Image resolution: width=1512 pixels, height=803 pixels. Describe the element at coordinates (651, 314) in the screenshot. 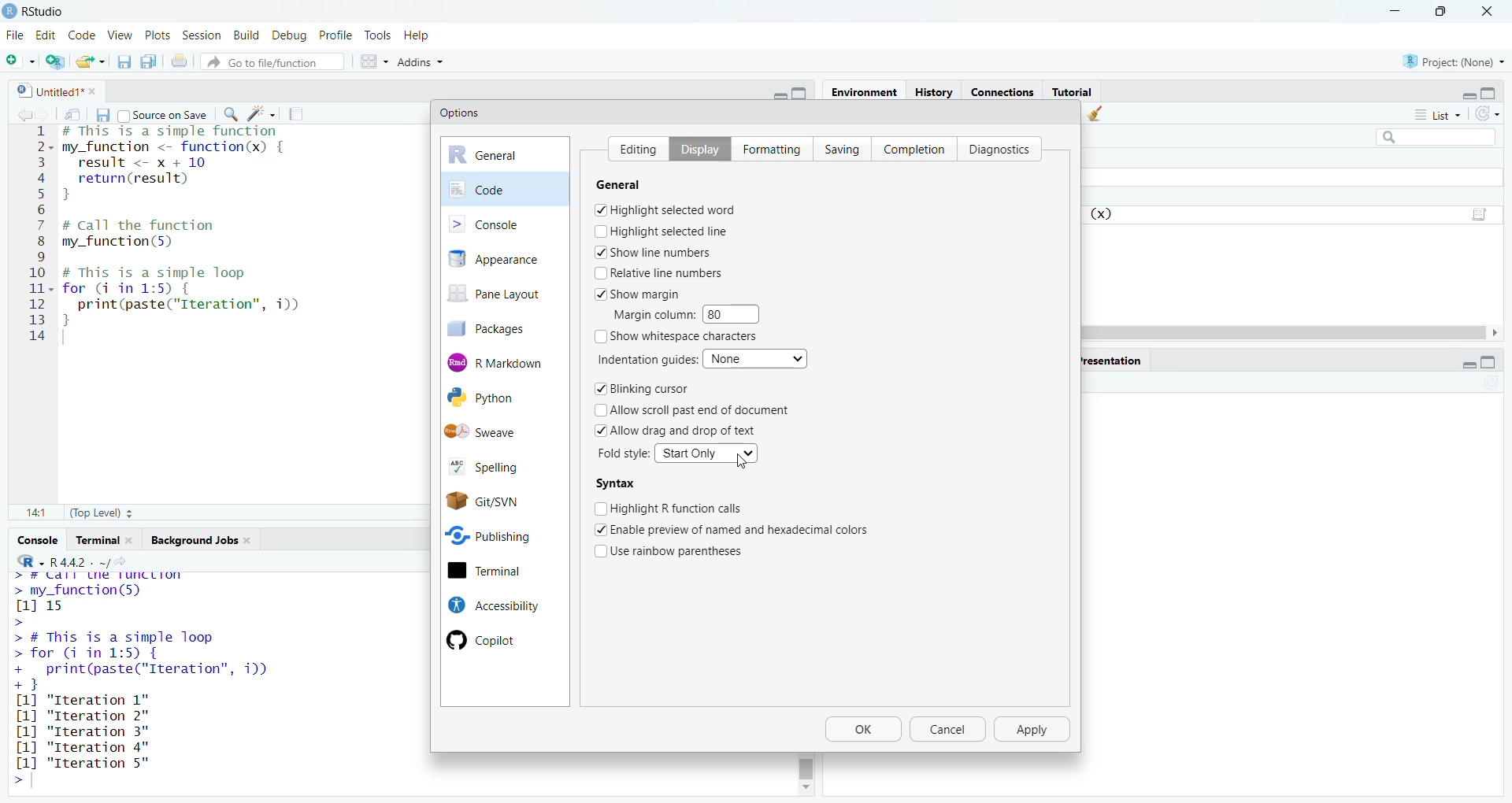

I see `margin column` at that location.